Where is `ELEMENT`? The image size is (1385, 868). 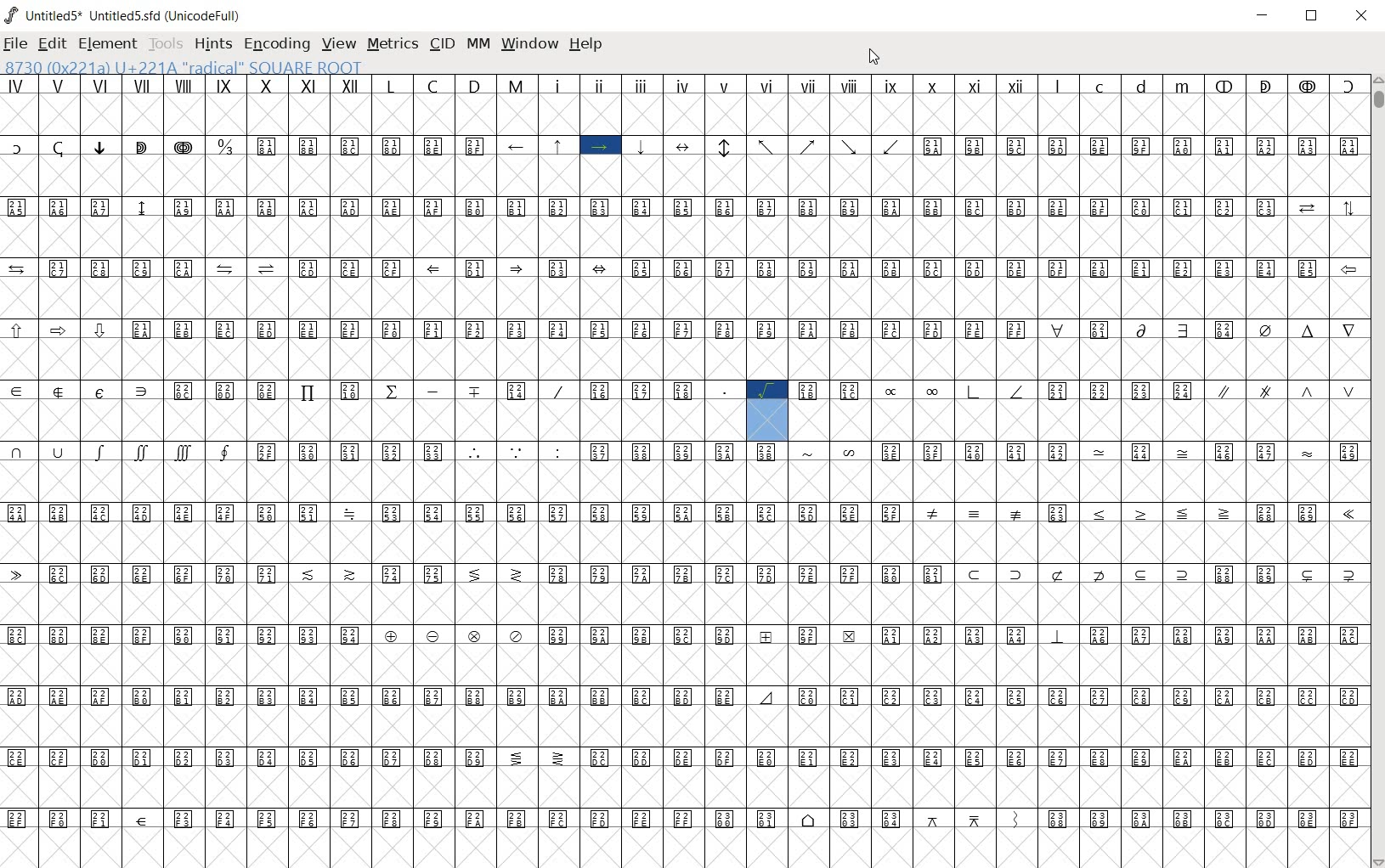
ELEMENT is located at coordinates (109, 43).